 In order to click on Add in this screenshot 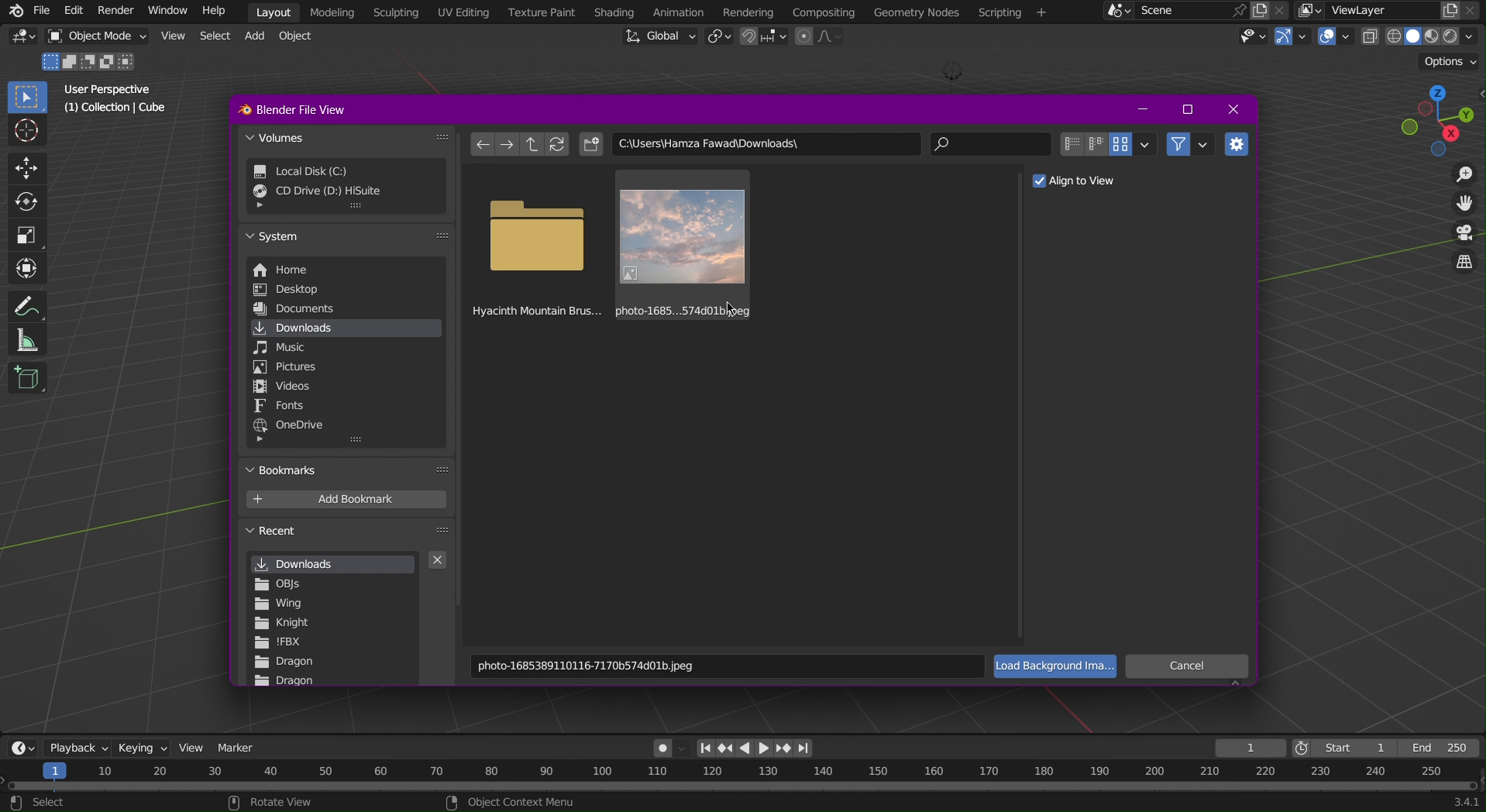, I will do `click(259, 38)`.